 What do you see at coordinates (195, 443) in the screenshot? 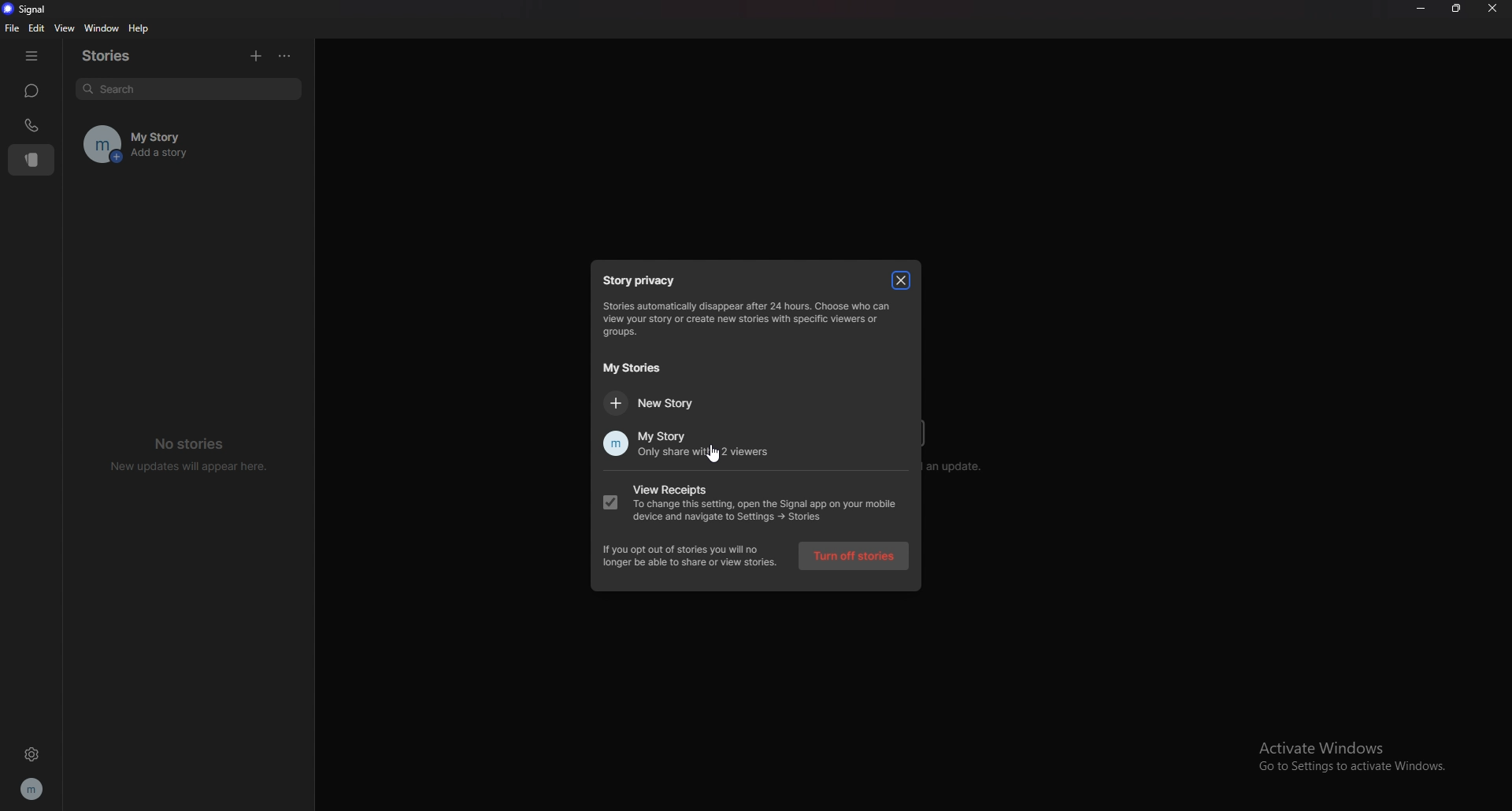
I see `No stories` at bounding box center [195, 443].